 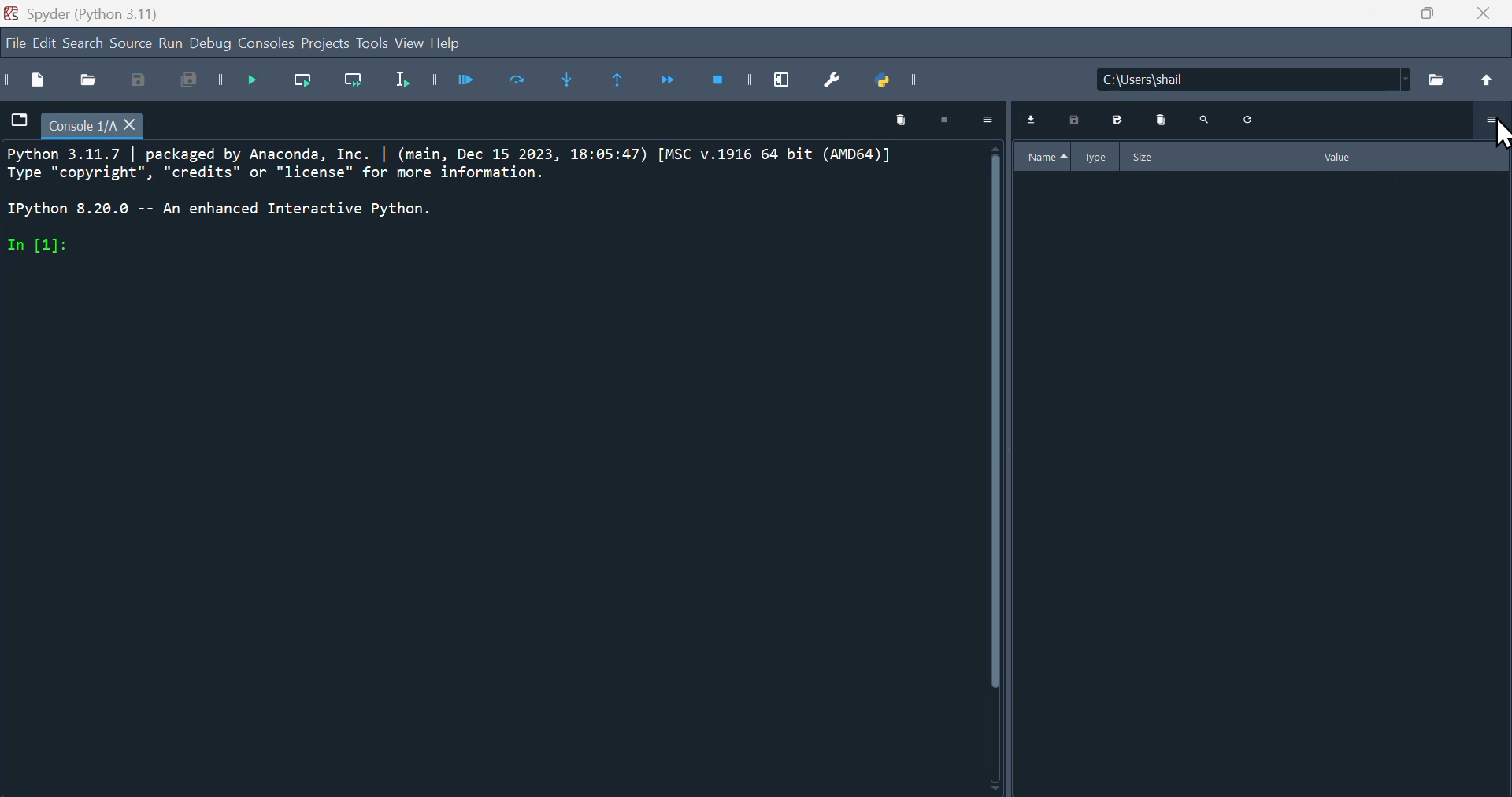 I want to click on Run current line, so click(x=310, y=85).